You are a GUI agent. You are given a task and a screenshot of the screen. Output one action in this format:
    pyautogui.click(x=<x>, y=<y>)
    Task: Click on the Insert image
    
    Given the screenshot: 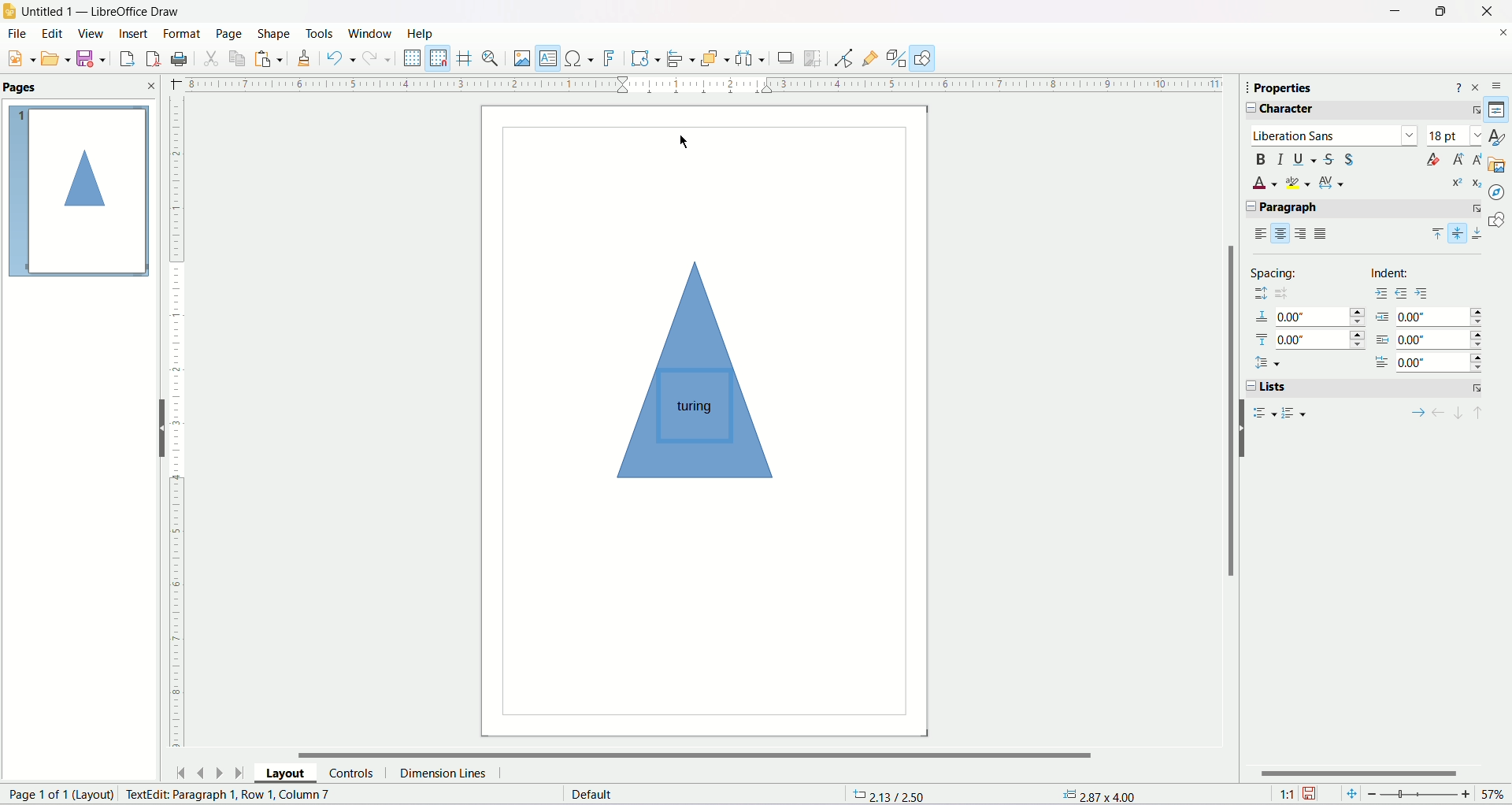 What is the action you would take?
    pyautogui.click(x=521, y=57)
    